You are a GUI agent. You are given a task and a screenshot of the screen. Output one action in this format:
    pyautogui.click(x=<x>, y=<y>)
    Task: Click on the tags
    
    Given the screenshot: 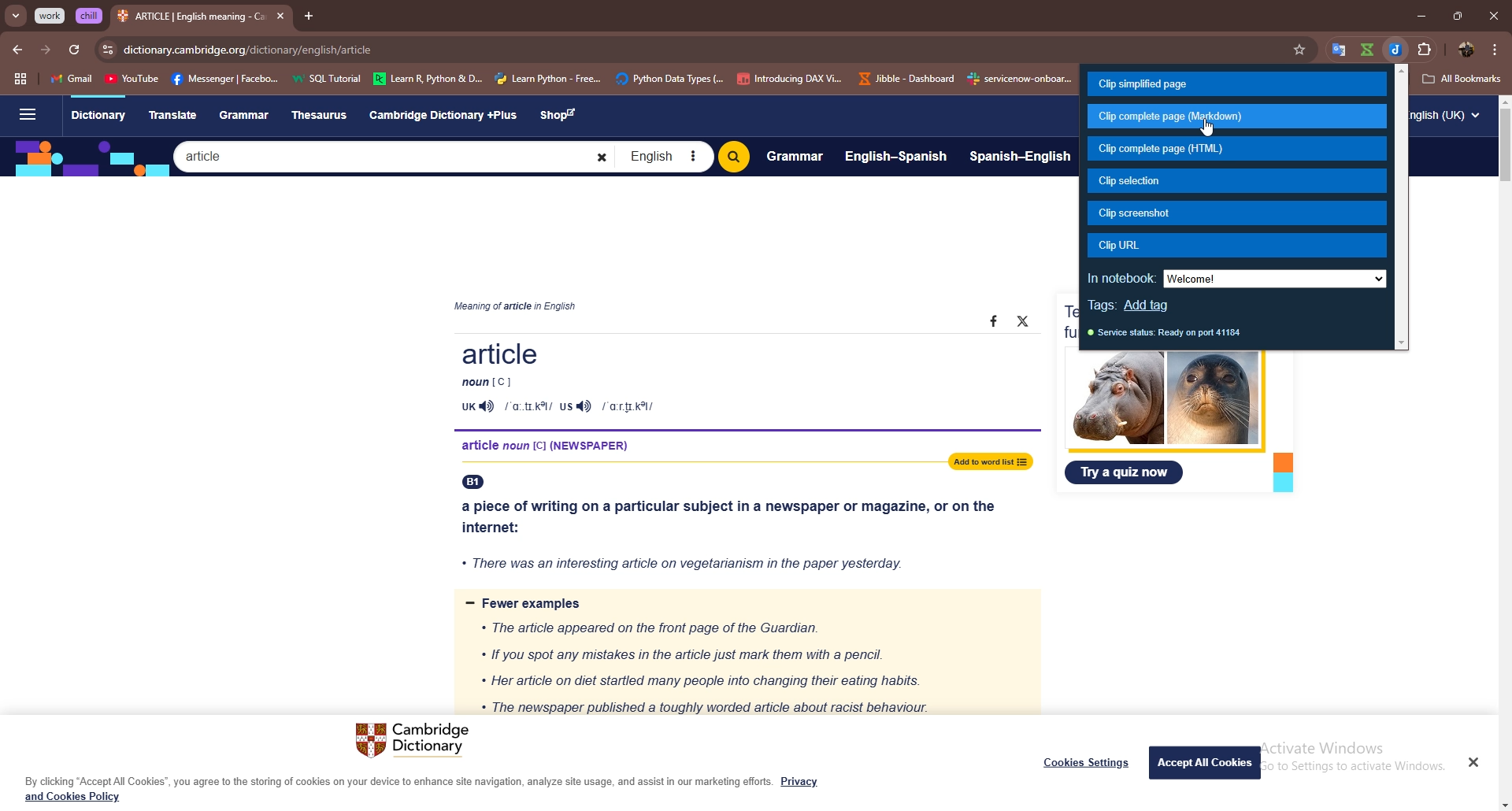 What is the action you would take?
    pyautogui.click(x=1102, y=306)
    